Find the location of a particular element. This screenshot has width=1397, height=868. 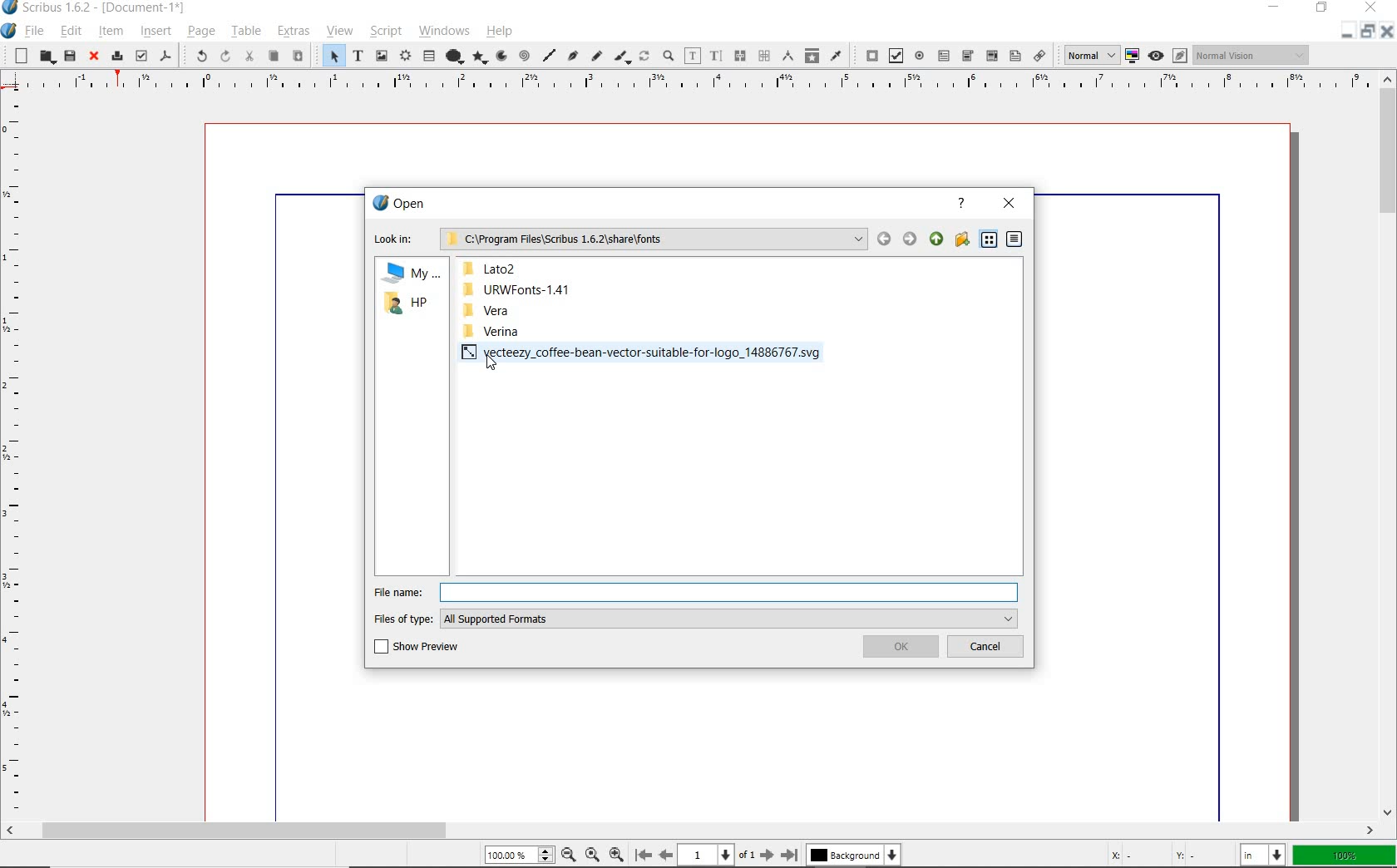

spiral is located at coordinates (526, 56).